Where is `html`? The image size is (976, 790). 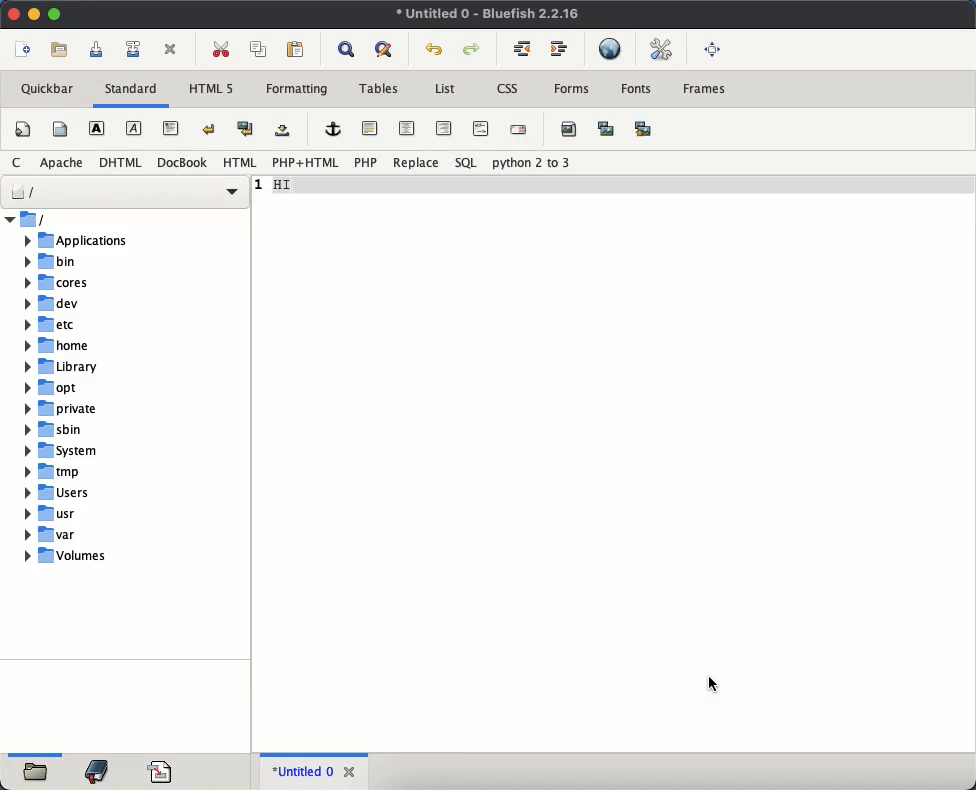 html is located at coordinates (240, 162).